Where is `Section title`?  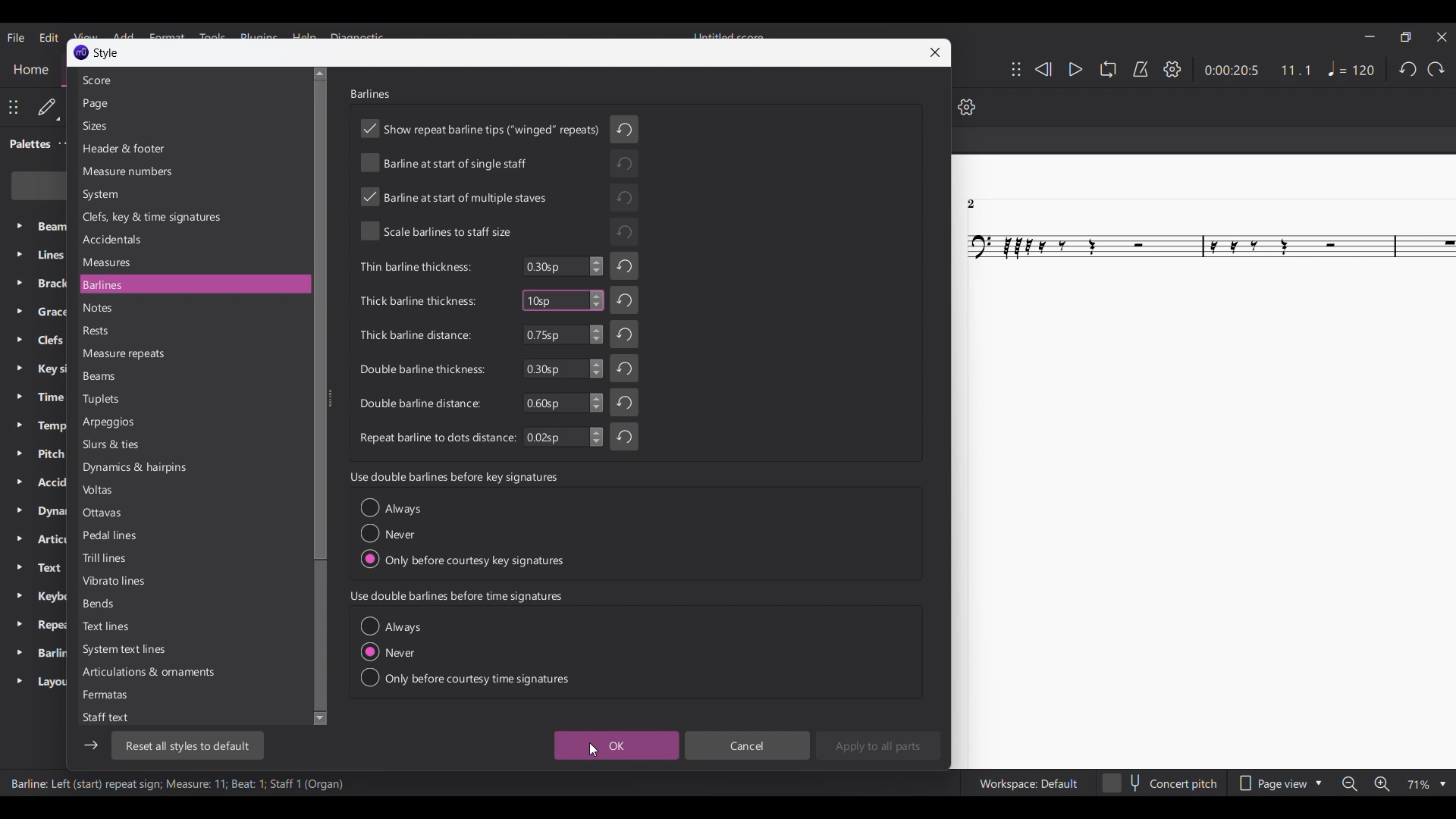 Section title is located at coordinates (370, 93).